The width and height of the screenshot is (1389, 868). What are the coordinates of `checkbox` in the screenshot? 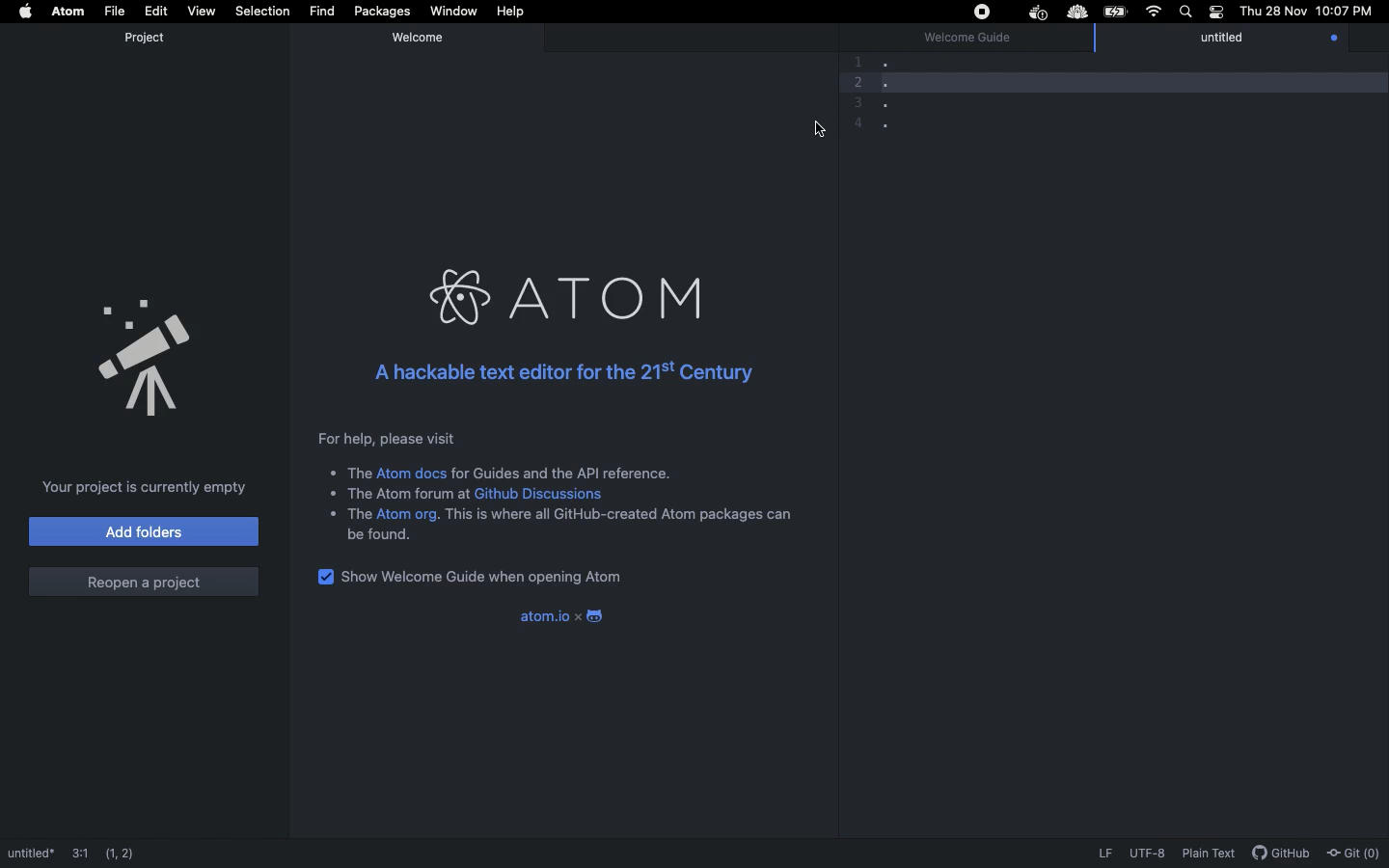 It's located at (322, 576).